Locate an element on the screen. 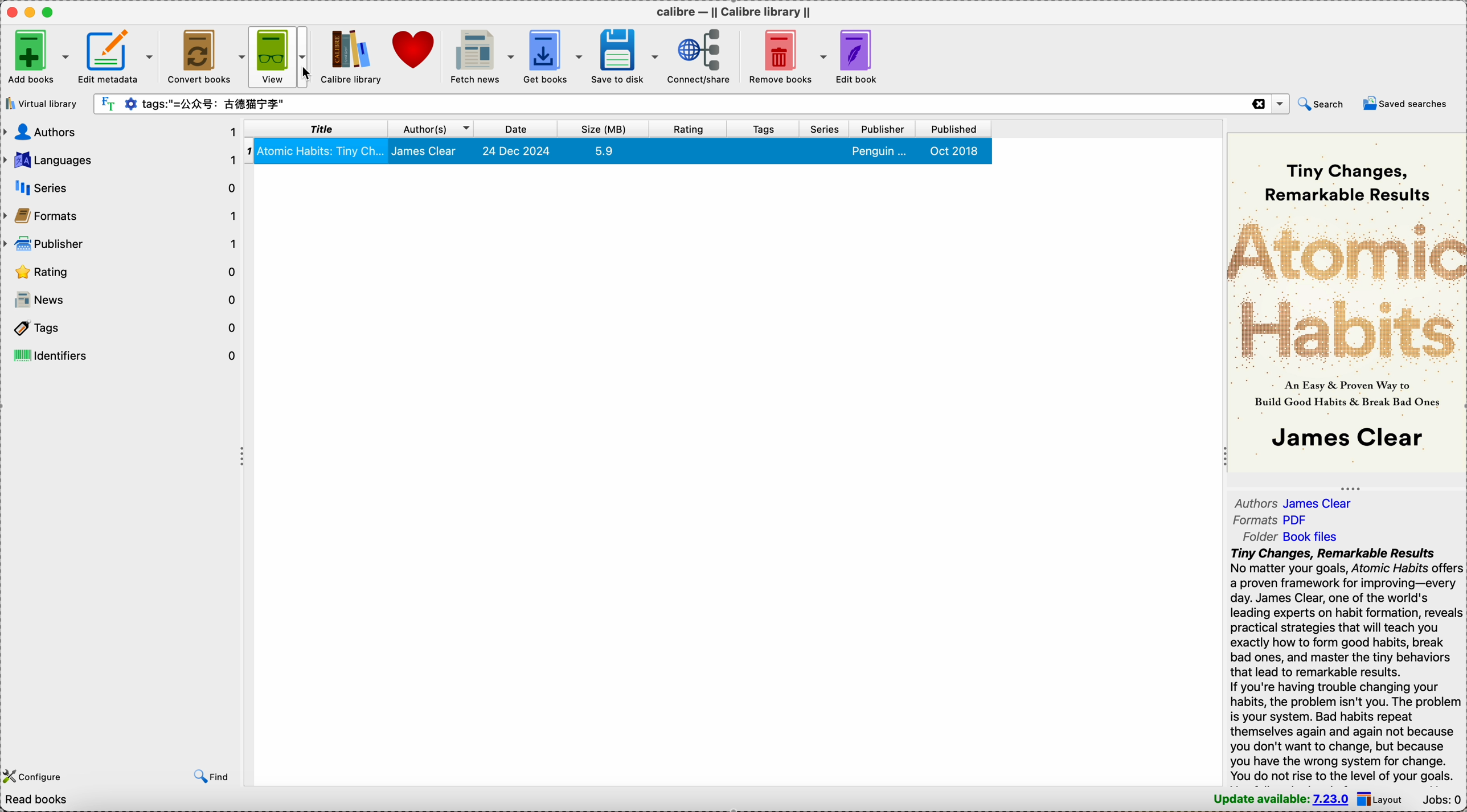 This screenshot has width=1467, height=812. Jobs: 0 is located at coordinates (1441, 799).